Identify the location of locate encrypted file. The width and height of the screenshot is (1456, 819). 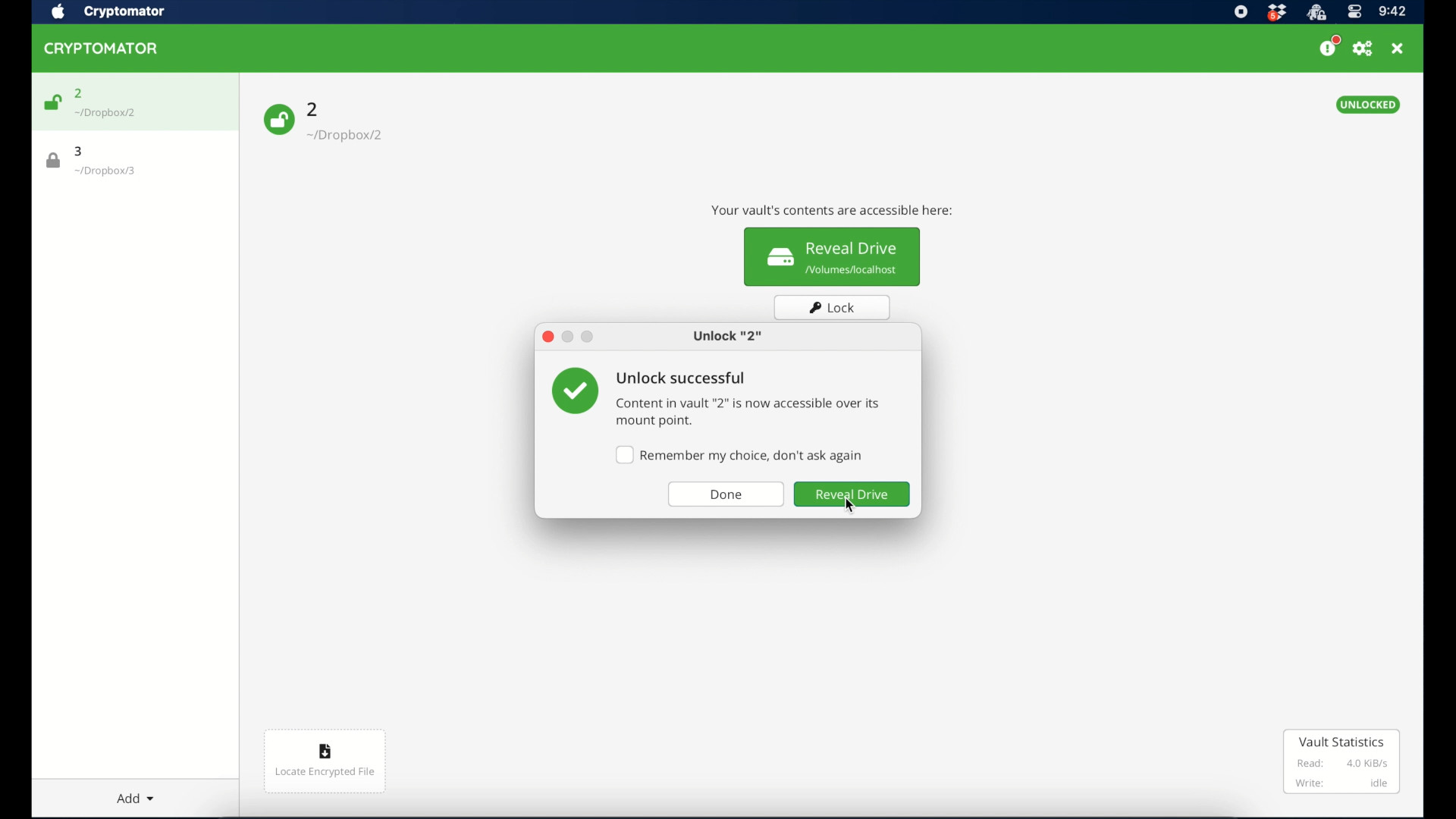
(325, 761).